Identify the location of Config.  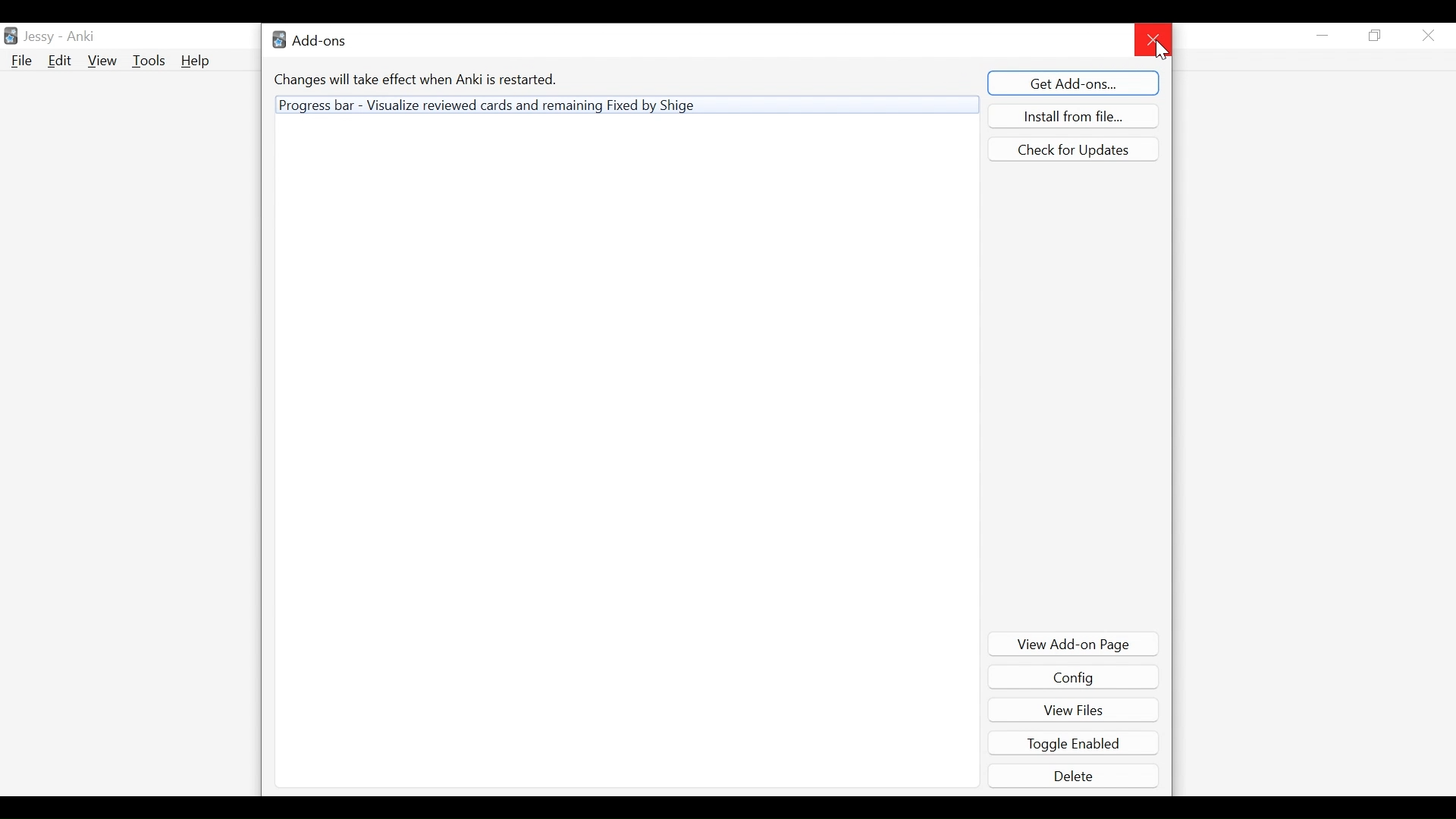
(1073, 678).